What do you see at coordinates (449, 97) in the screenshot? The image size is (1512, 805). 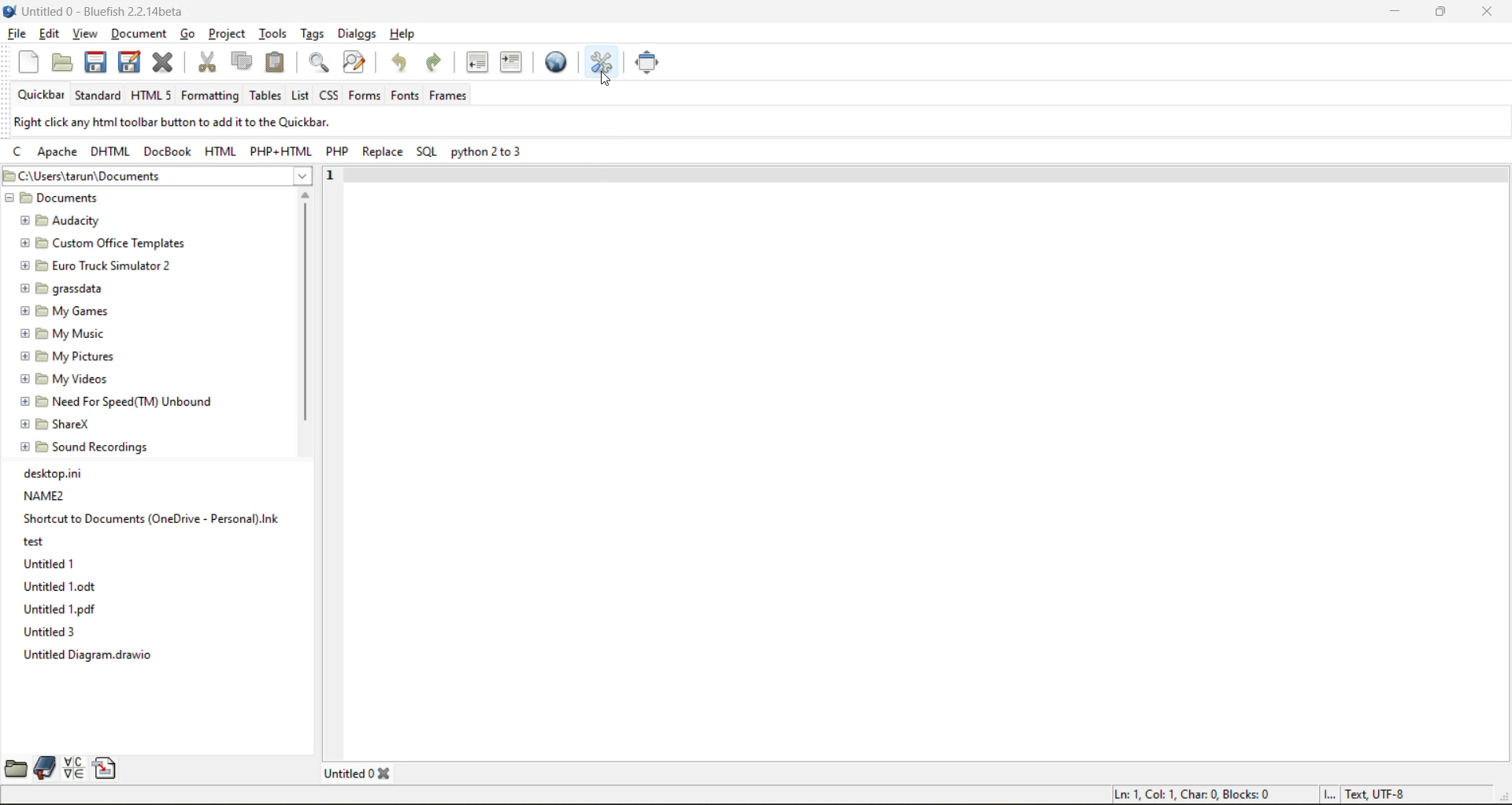 I see `frames` at bounding box center [449, 97].